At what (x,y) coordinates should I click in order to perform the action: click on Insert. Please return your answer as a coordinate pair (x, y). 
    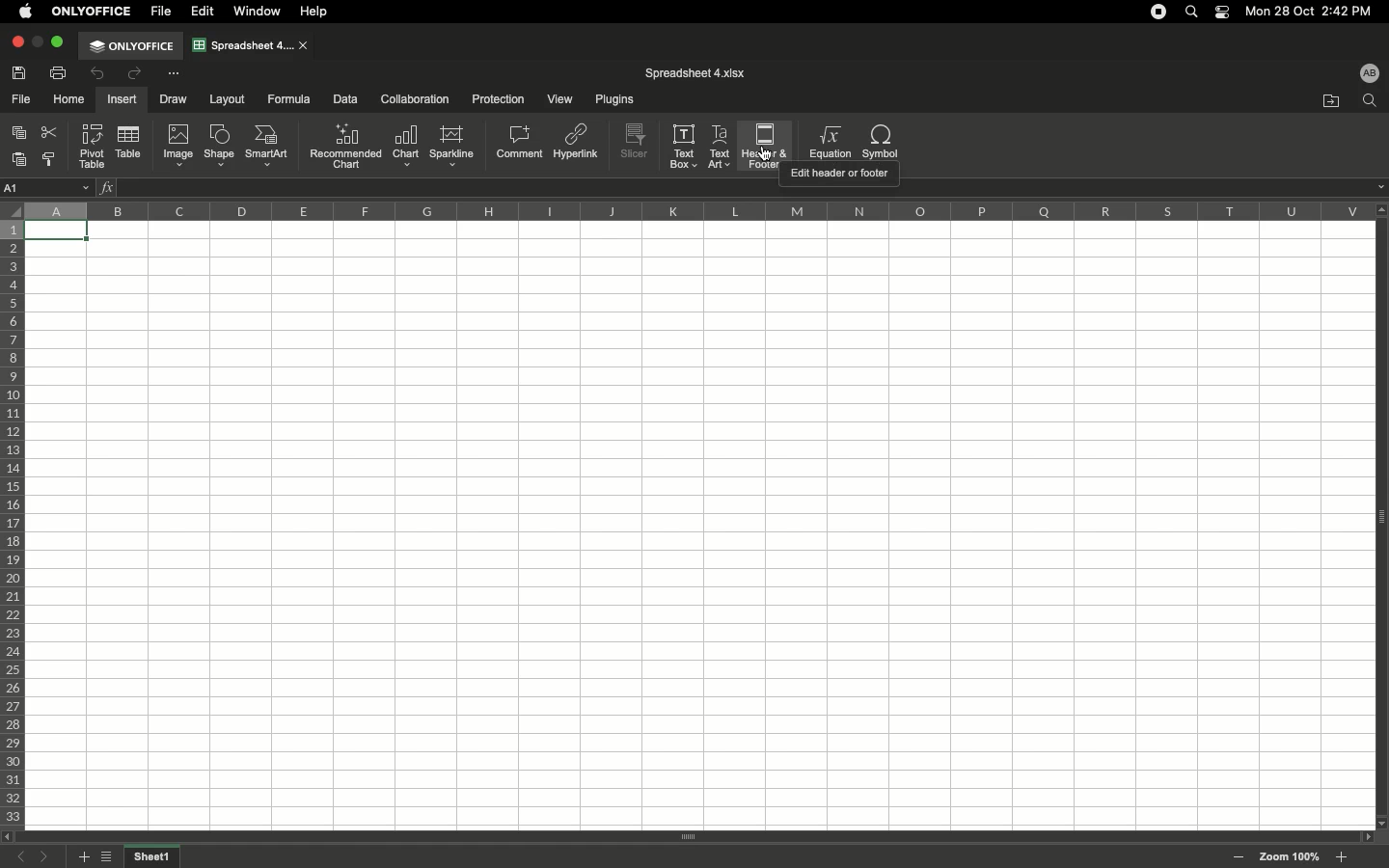
    Looking at the image, I should click on (121, 99).